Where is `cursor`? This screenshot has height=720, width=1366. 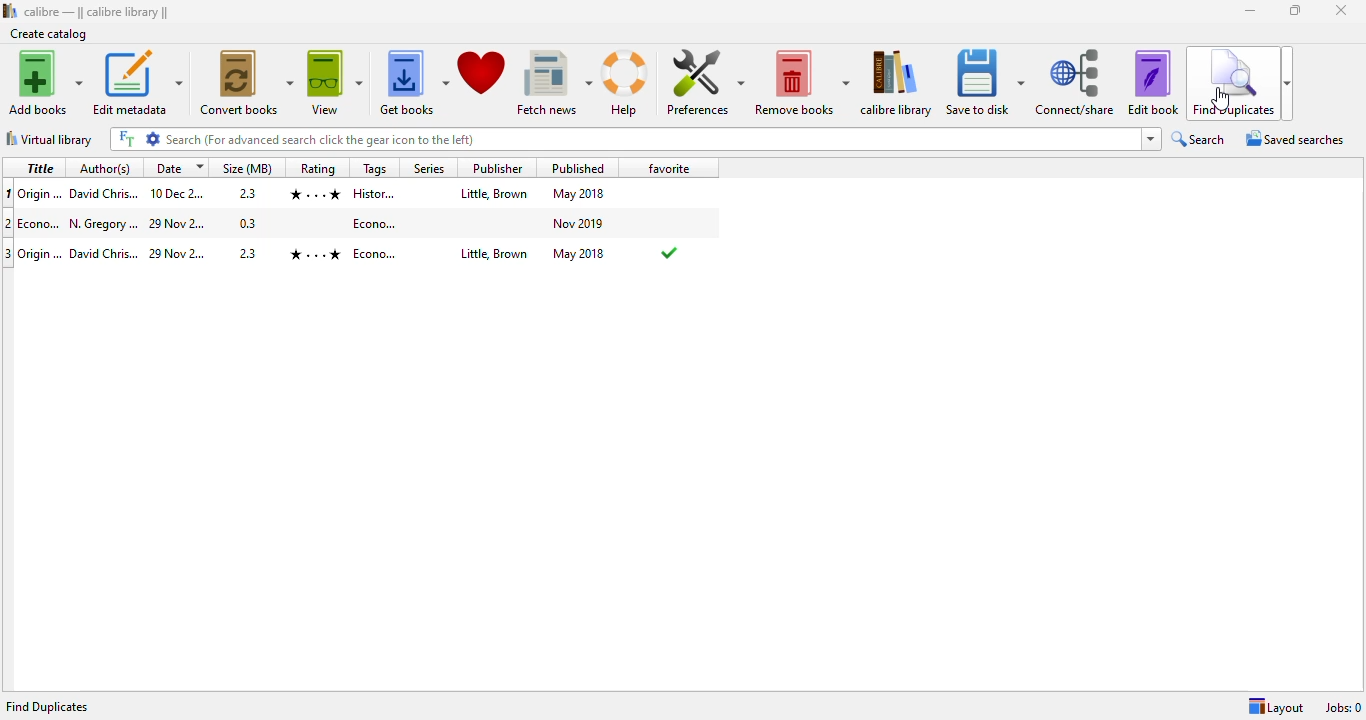 cursor is located at coordinates (1219, 99).